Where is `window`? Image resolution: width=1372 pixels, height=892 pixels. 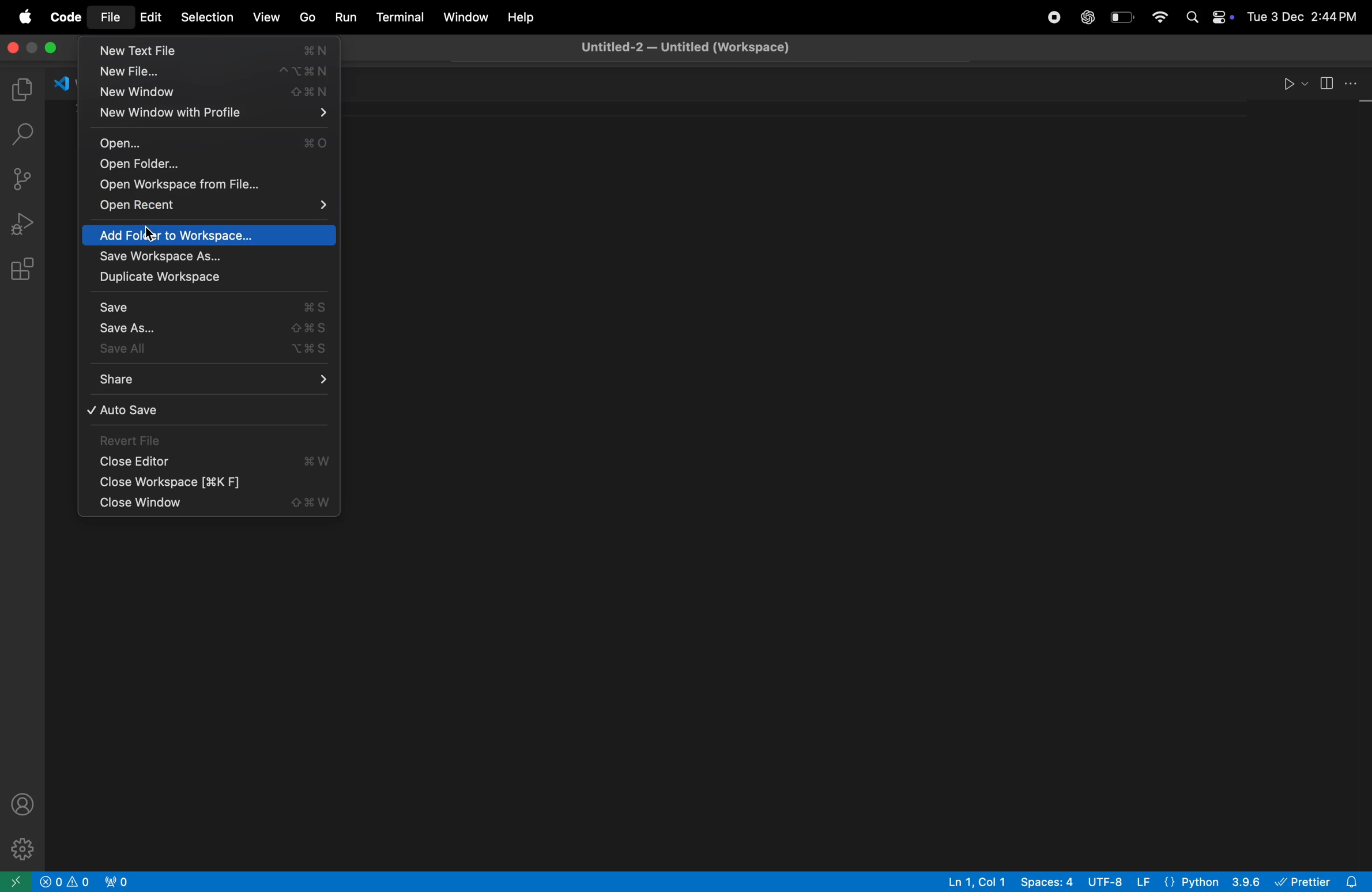
window is located at coordinates (464, 16).